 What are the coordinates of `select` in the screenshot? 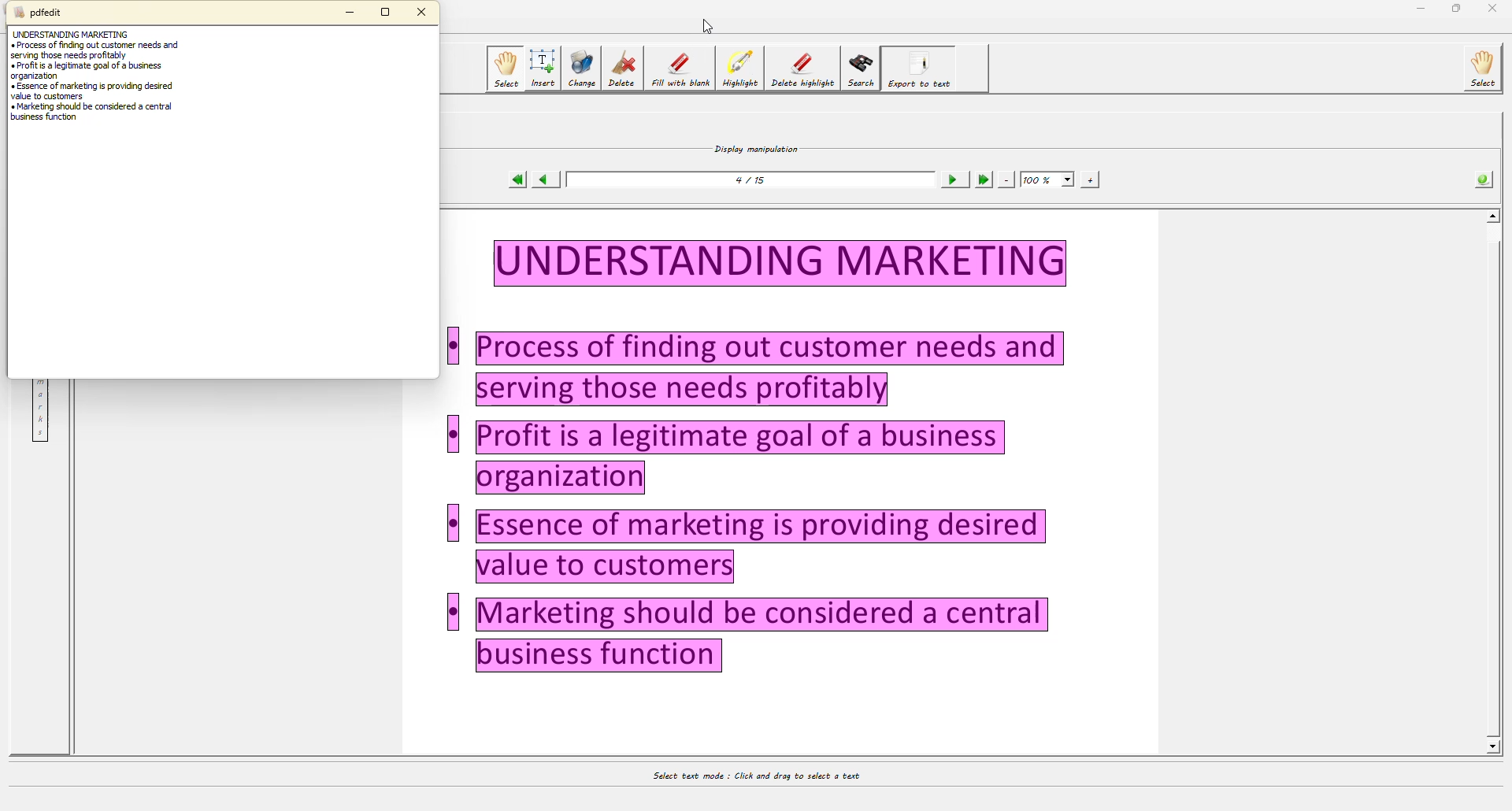 It's located at (1482, 69).